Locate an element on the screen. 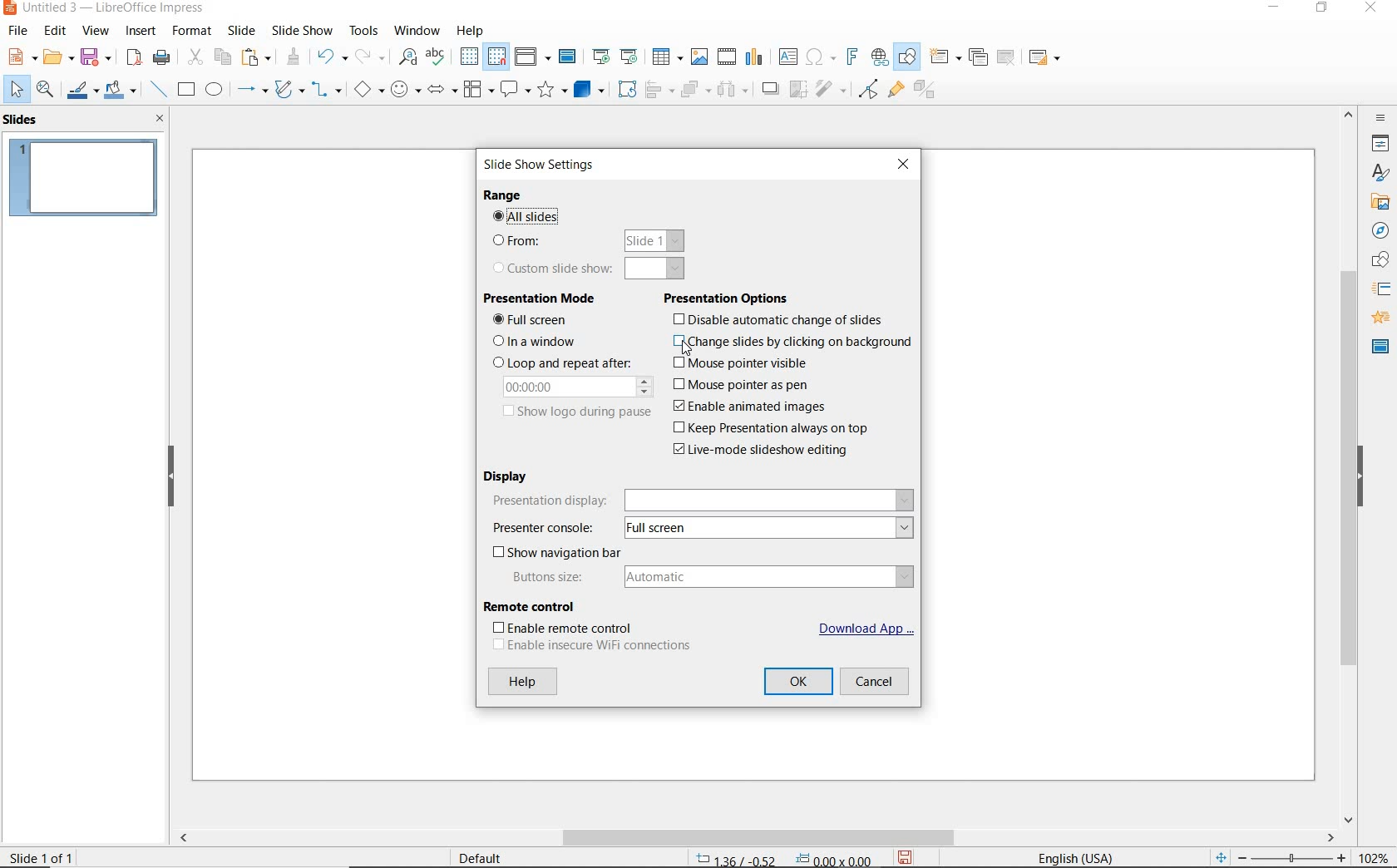 The height and width of the screenshot is (868, 1397). INSERT SPECIAL CHARACTERS is located at coordinates (819, 57).